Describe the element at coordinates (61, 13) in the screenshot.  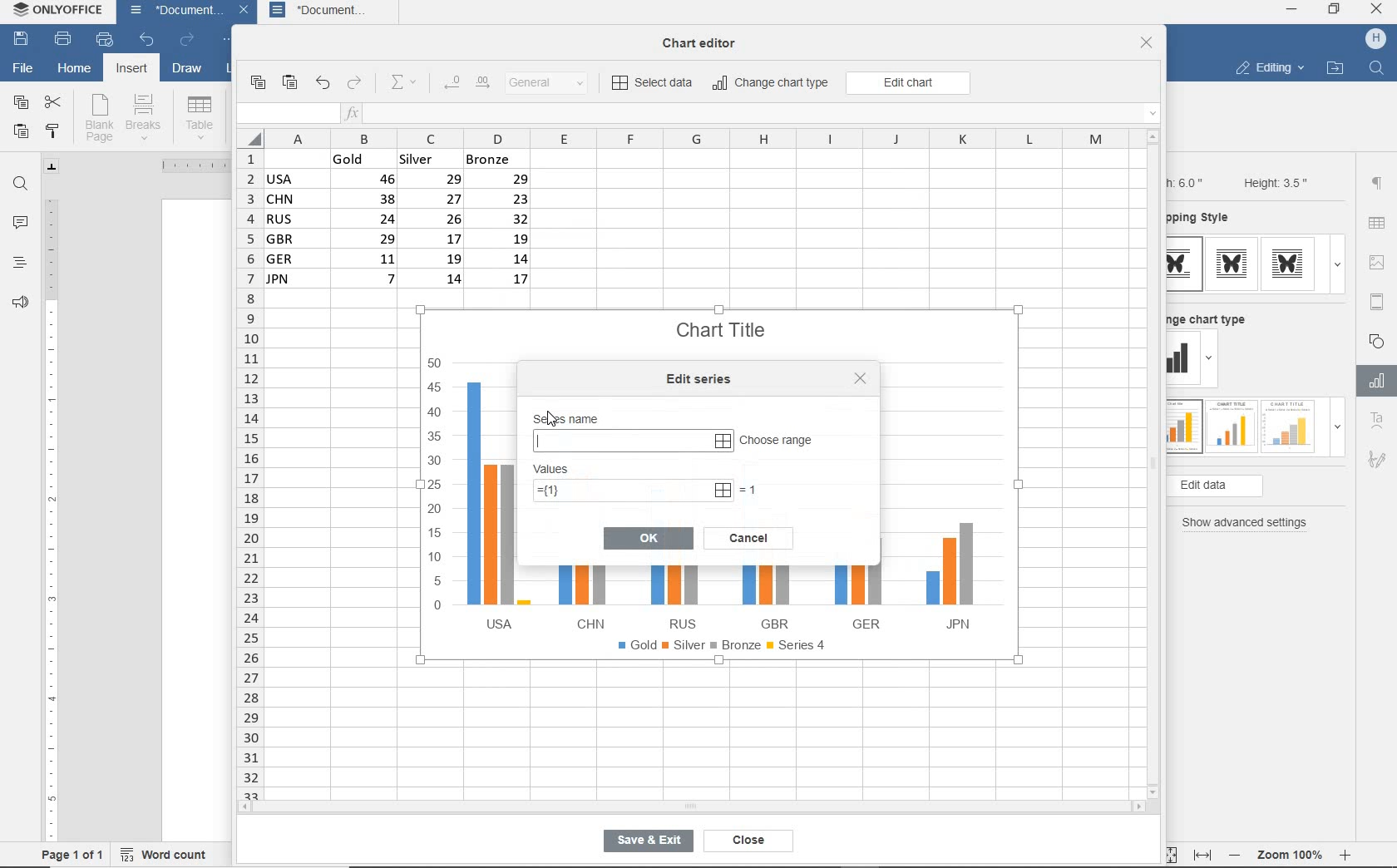
I see `system name` at that location.